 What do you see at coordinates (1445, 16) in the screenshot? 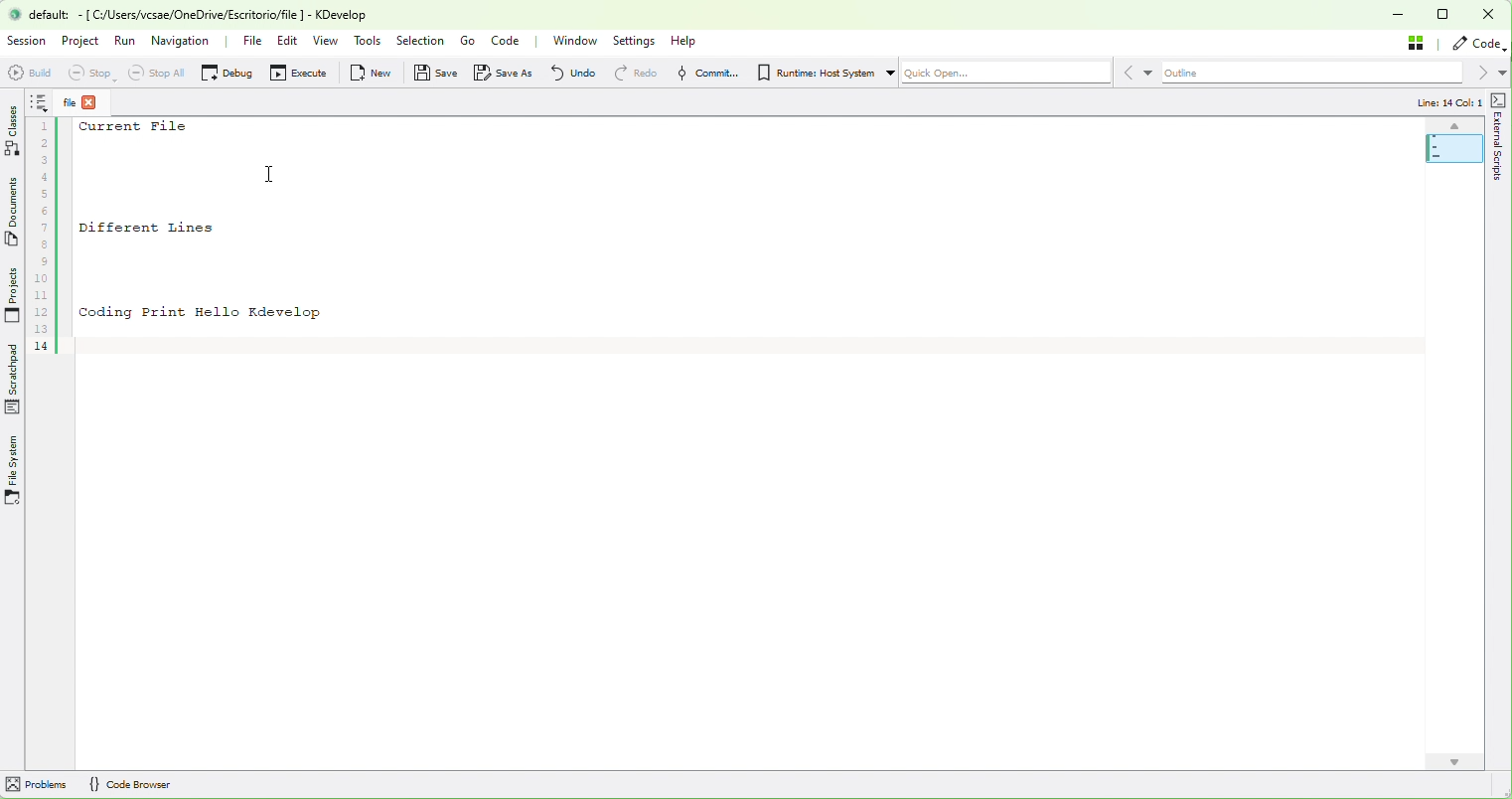
I see `Box` at bounding box center [1445, 16].